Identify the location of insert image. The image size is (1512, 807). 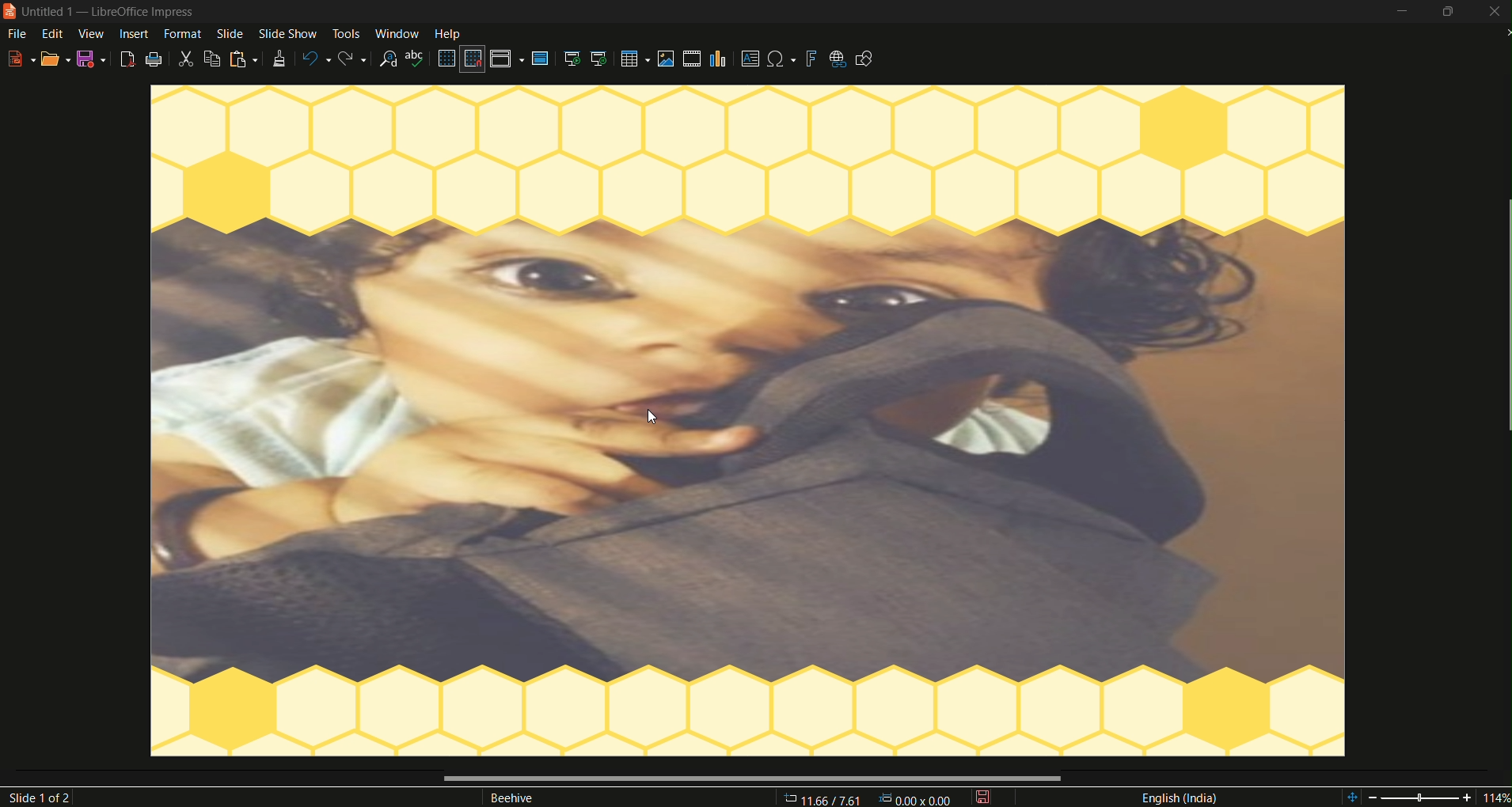
(666, 60).